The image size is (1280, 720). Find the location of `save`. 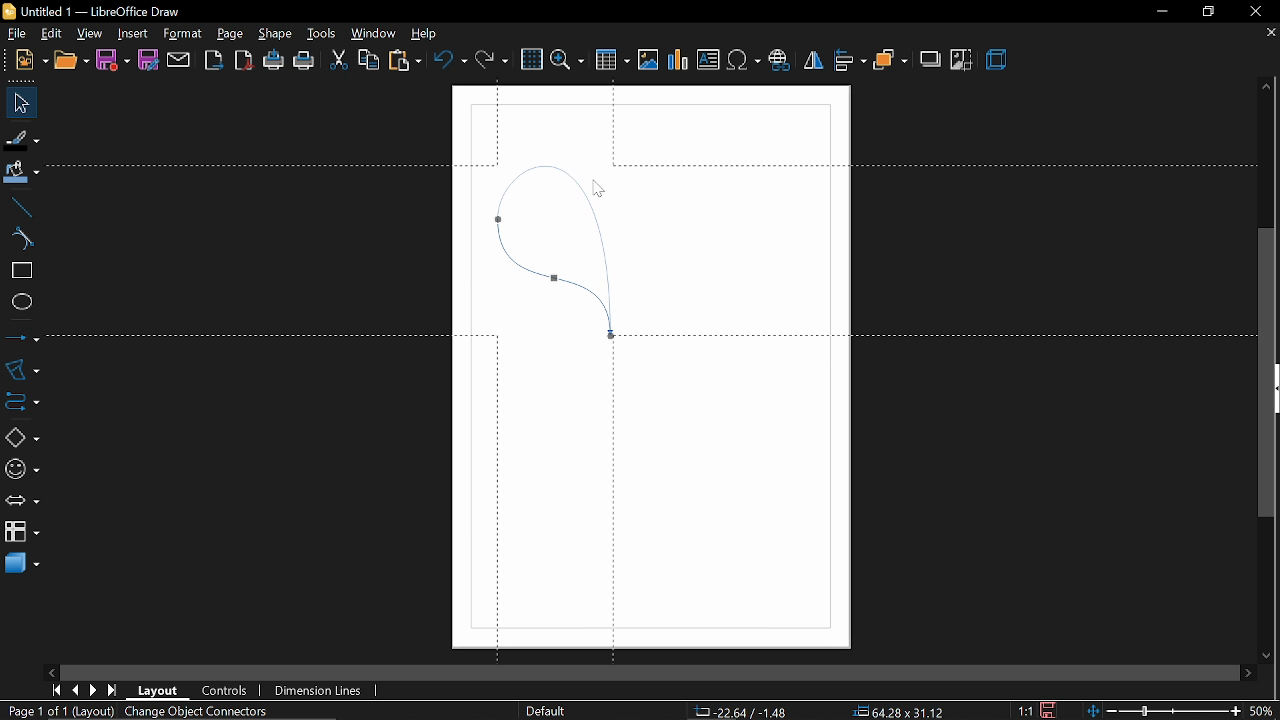

save is located at coordinates (113, 61).